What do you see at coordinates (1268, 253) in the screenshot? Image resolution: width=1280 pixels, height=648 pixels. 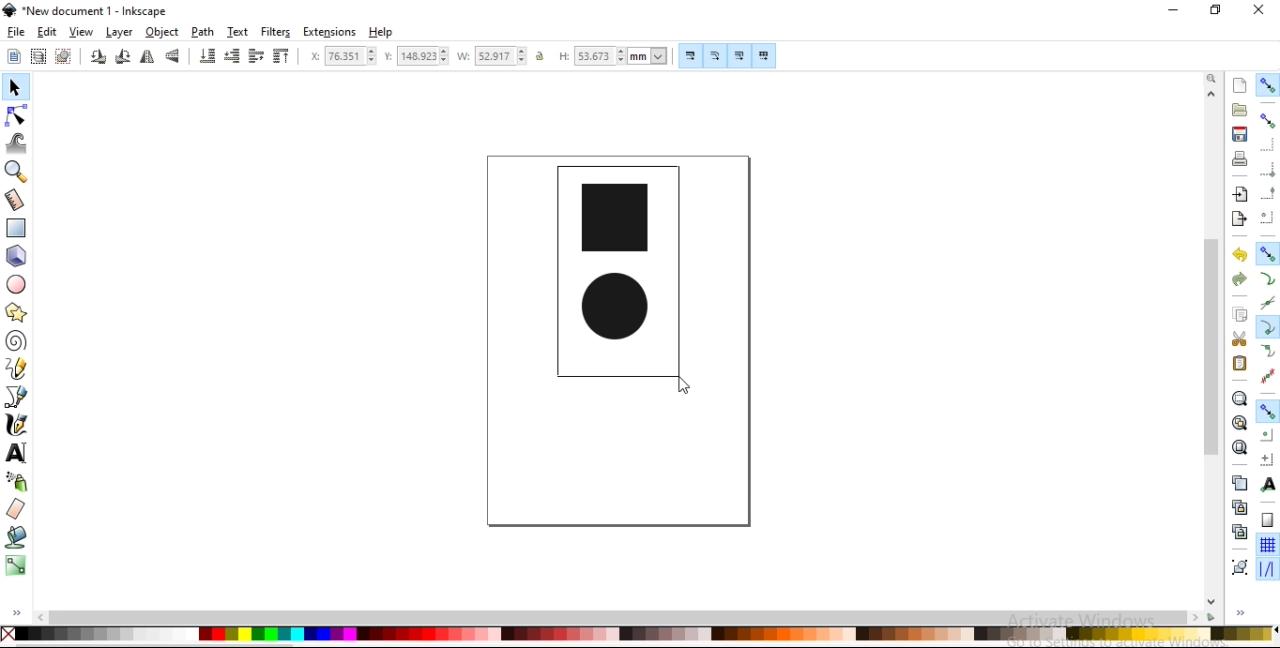 I see `snap nodes, paths and handles` at bounding box center [1268, 253].